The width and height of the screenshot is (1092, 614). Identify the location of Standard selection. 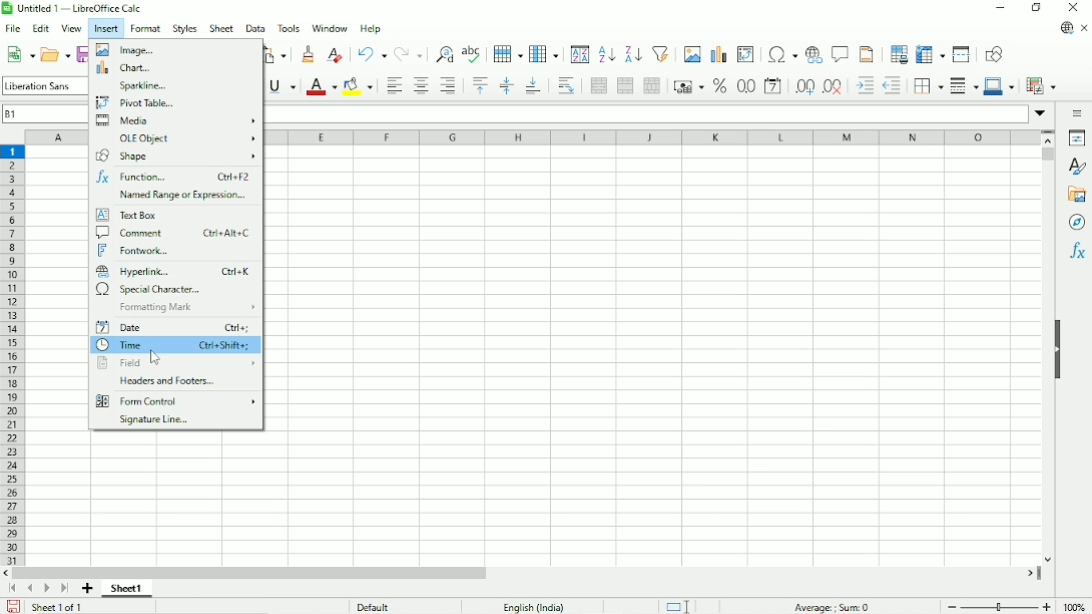
(679, 604).